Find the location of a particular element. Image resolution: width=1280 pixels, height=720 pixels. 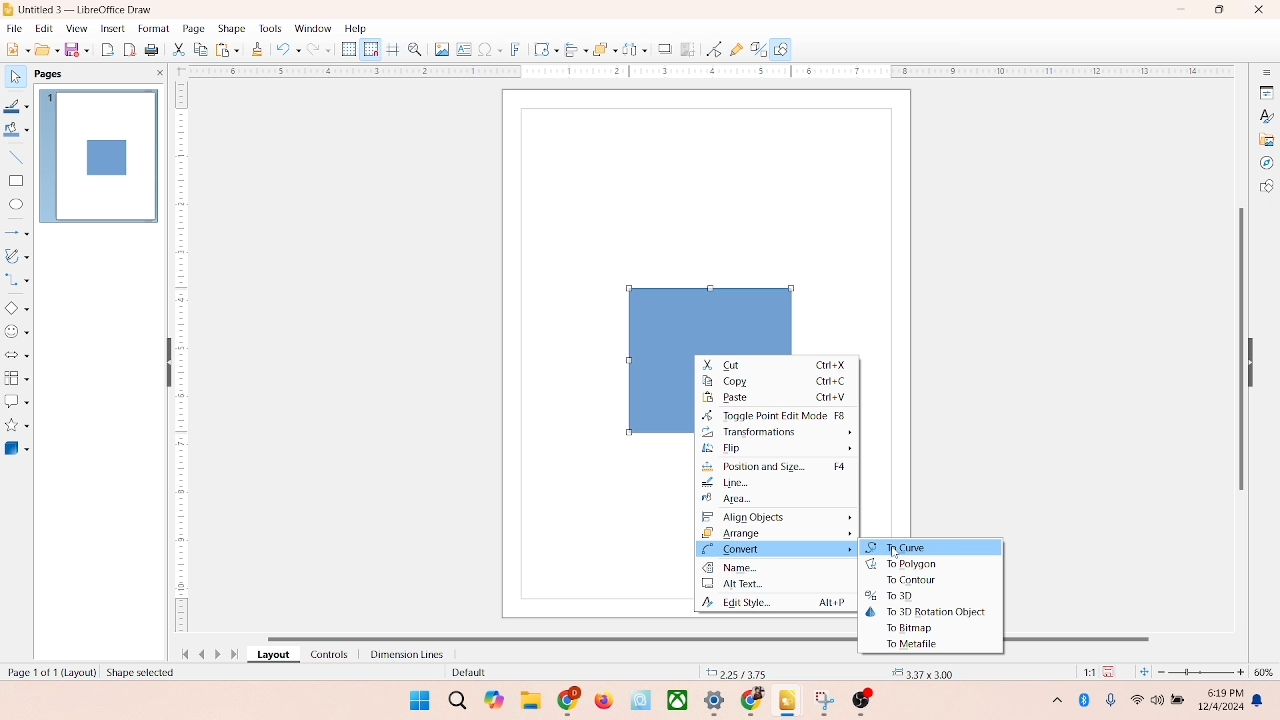

to metafile is located at coordinates (915, 645).